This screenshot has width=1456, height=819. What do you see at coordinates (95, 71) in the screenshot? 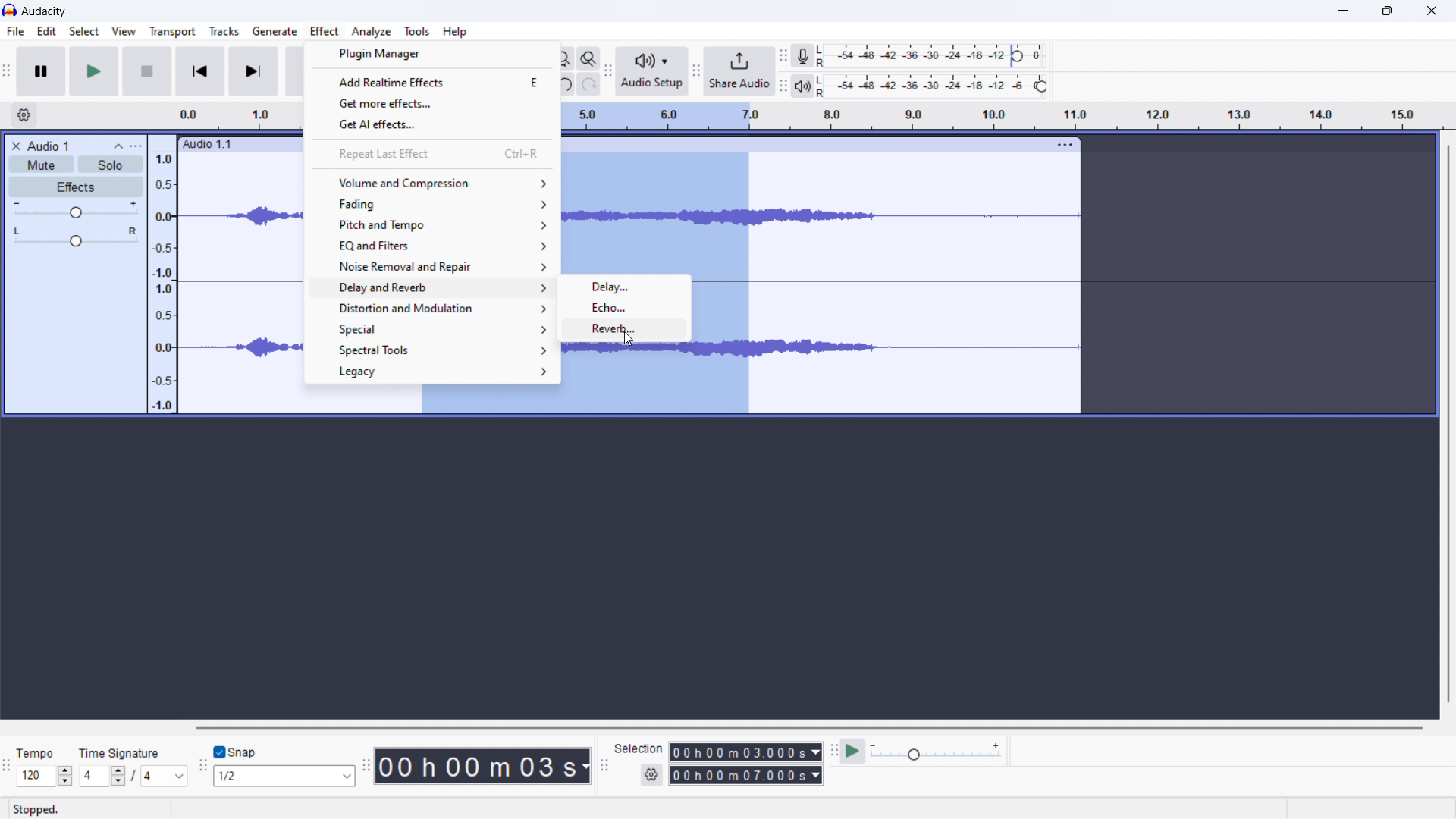
I see `play` at bounding box center [95, 71].